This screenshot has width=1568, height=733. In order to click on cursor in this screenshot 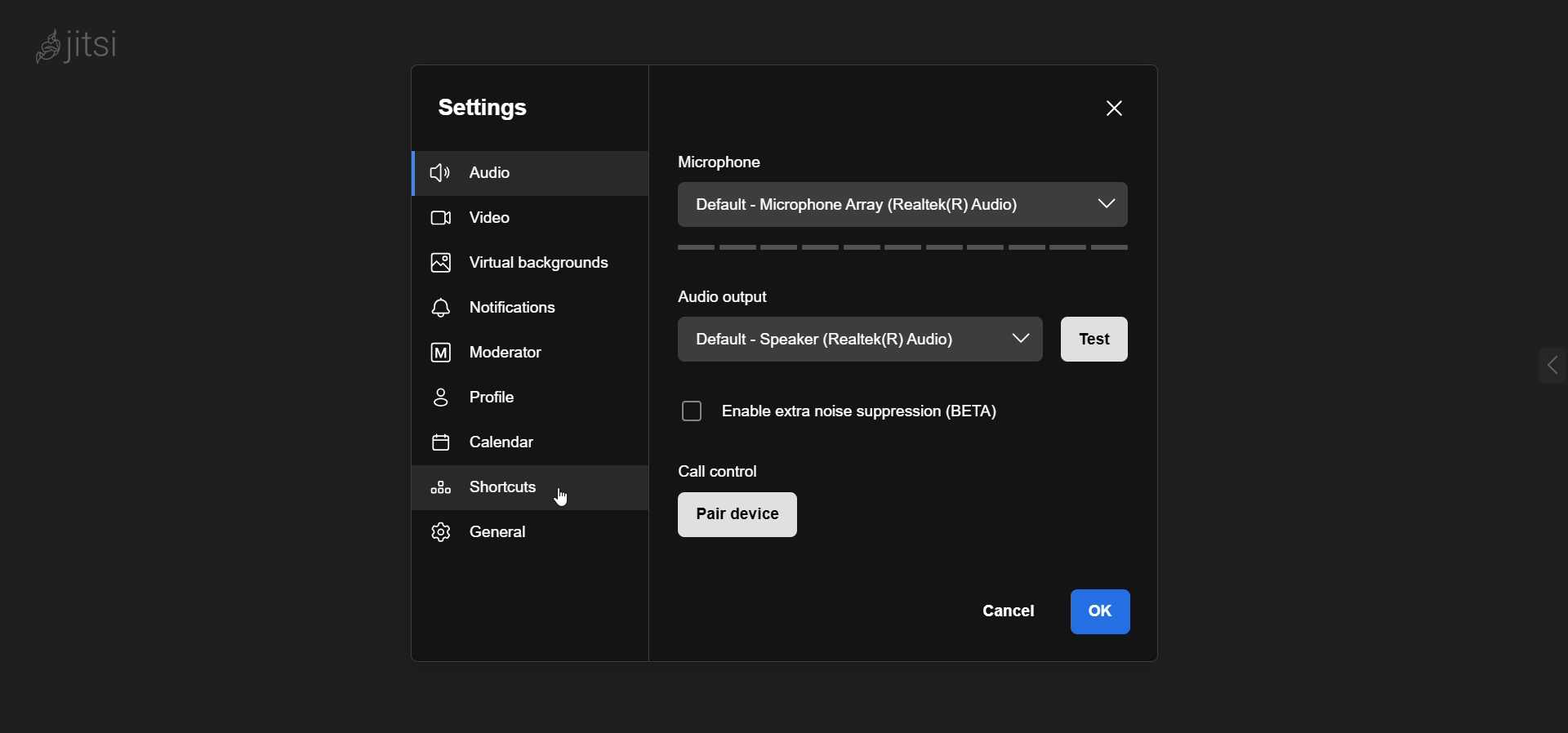, I will do `click(567, 495)`.